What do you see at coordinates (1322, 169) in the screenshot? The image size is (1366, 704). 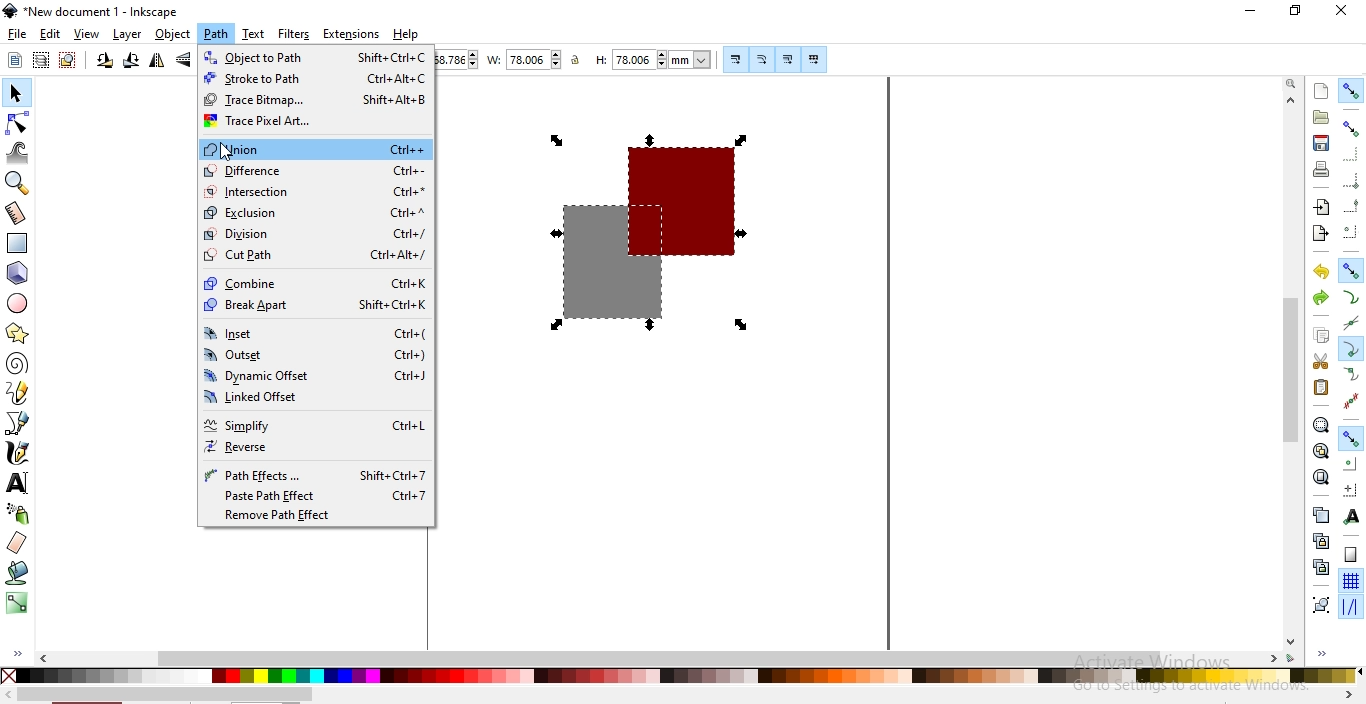 I see `print document` at bounding box center [1322, 169].